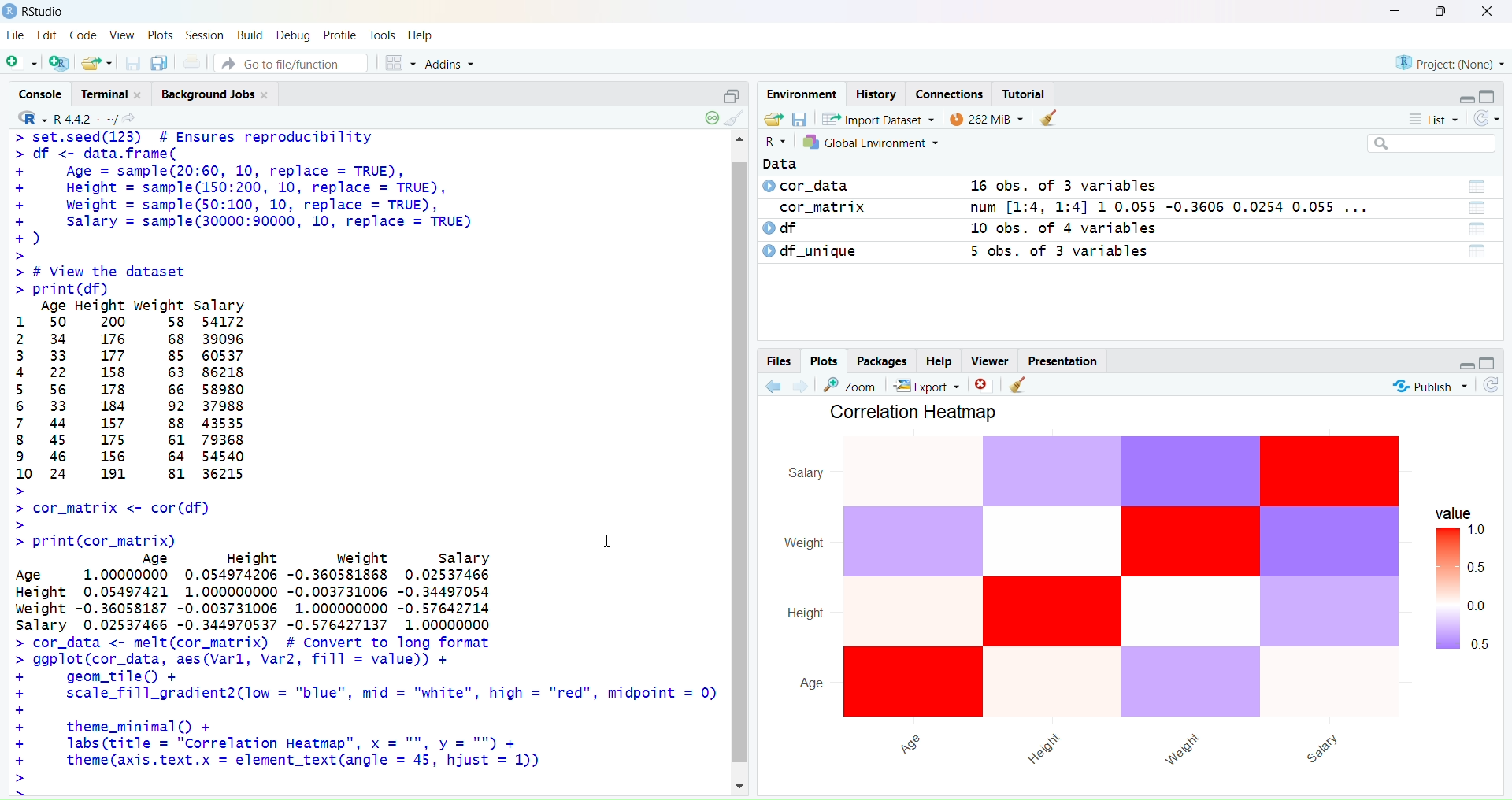 The width and height of the screenshot is (1512, 800). Describe the element at coordinates (1480, 230) in the screenshot. I see `List ` at that location.